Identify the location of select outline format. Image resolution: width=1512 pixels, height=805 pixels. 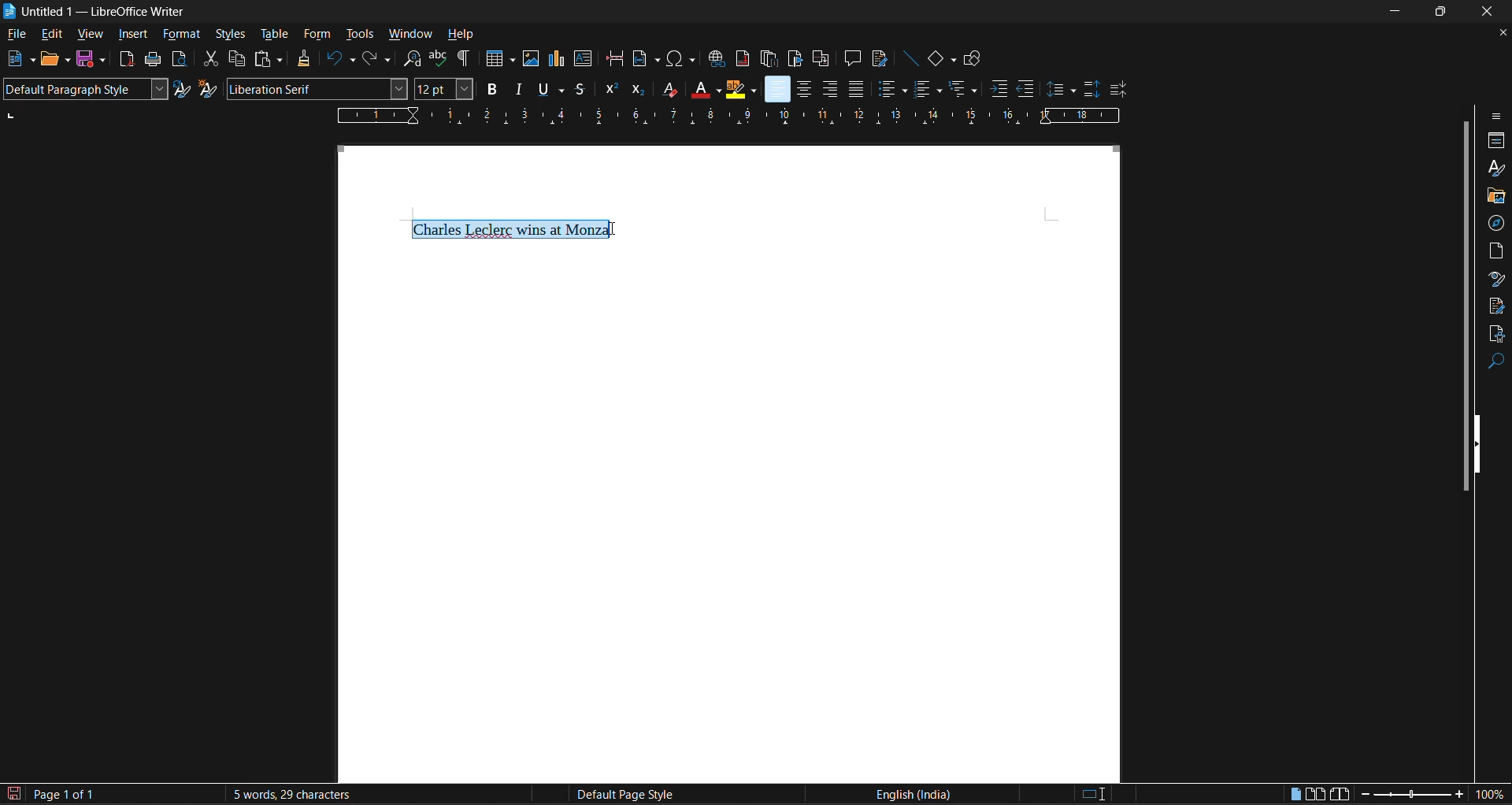
(963, 91).